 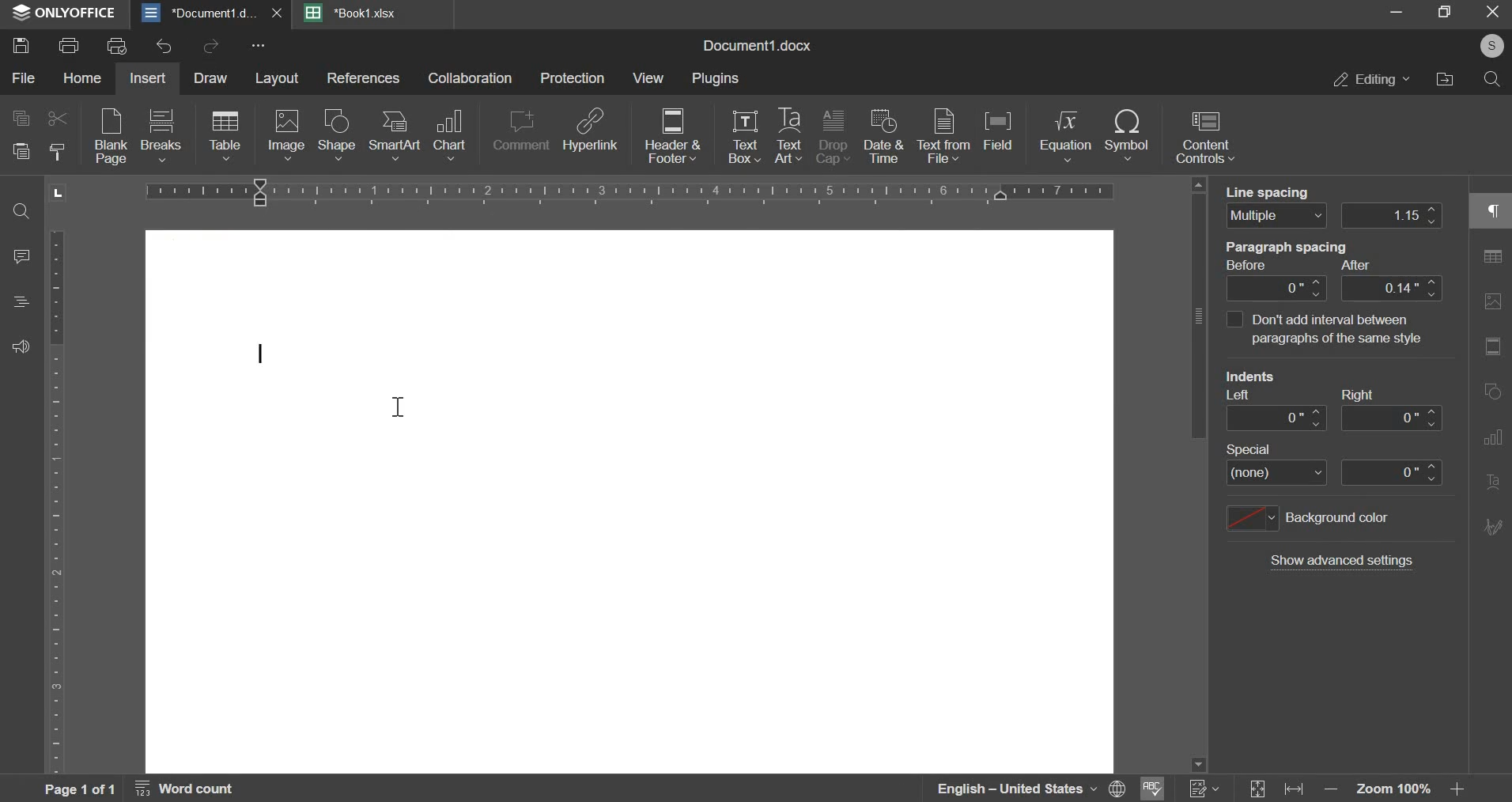 I want to click on insert blank page, so click(x=108, y=138).